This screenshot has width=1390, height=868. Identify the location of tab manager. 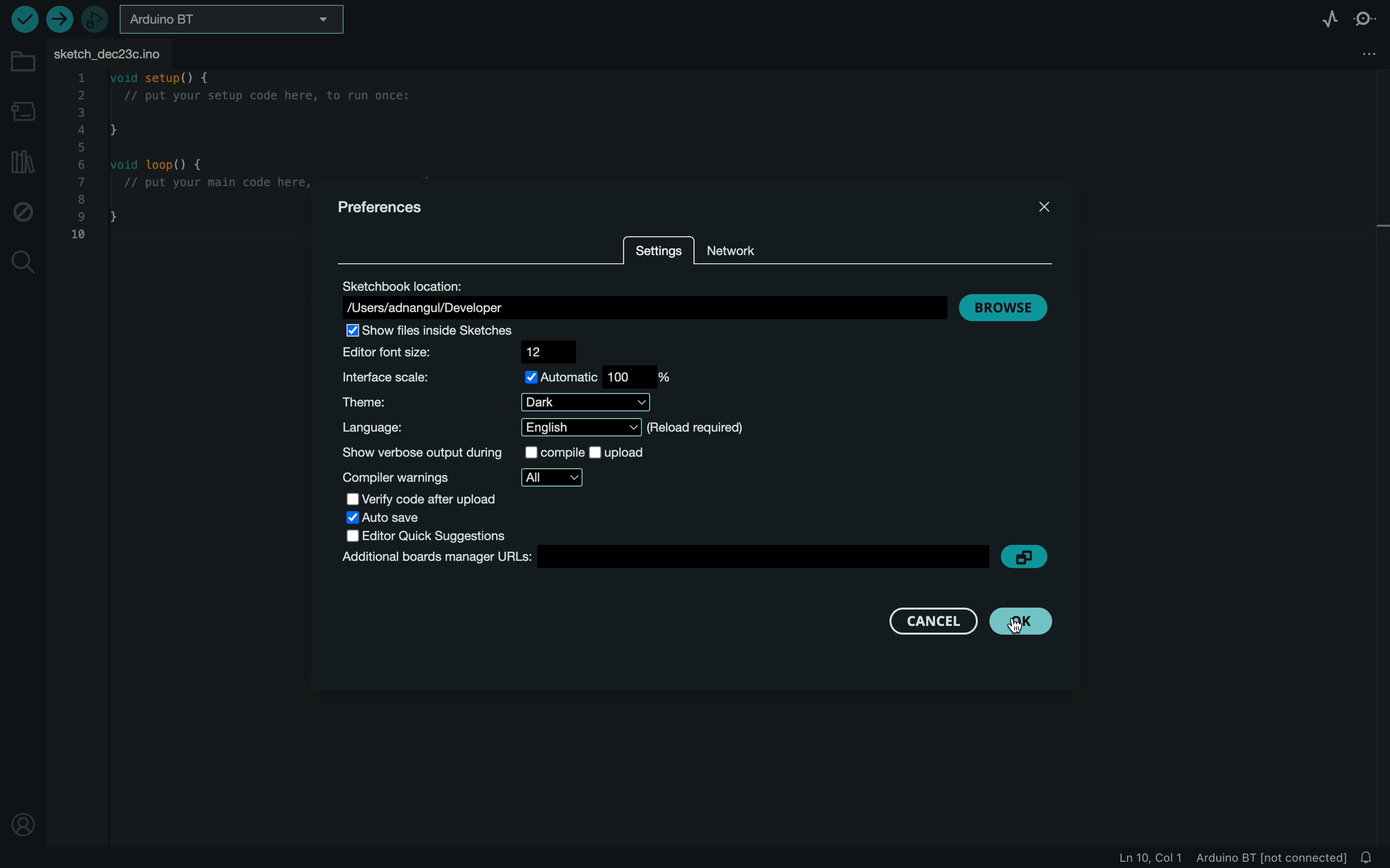
(1365, 55).